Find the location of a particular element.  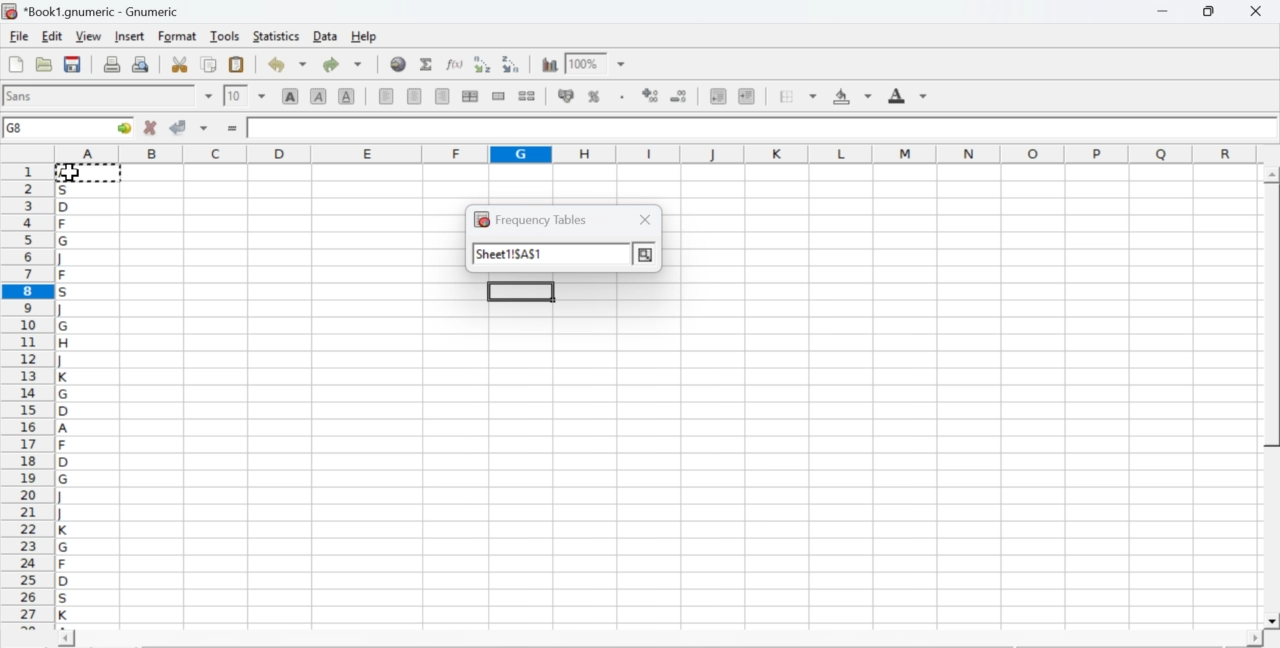

cut is located at coordinates (179, 64).